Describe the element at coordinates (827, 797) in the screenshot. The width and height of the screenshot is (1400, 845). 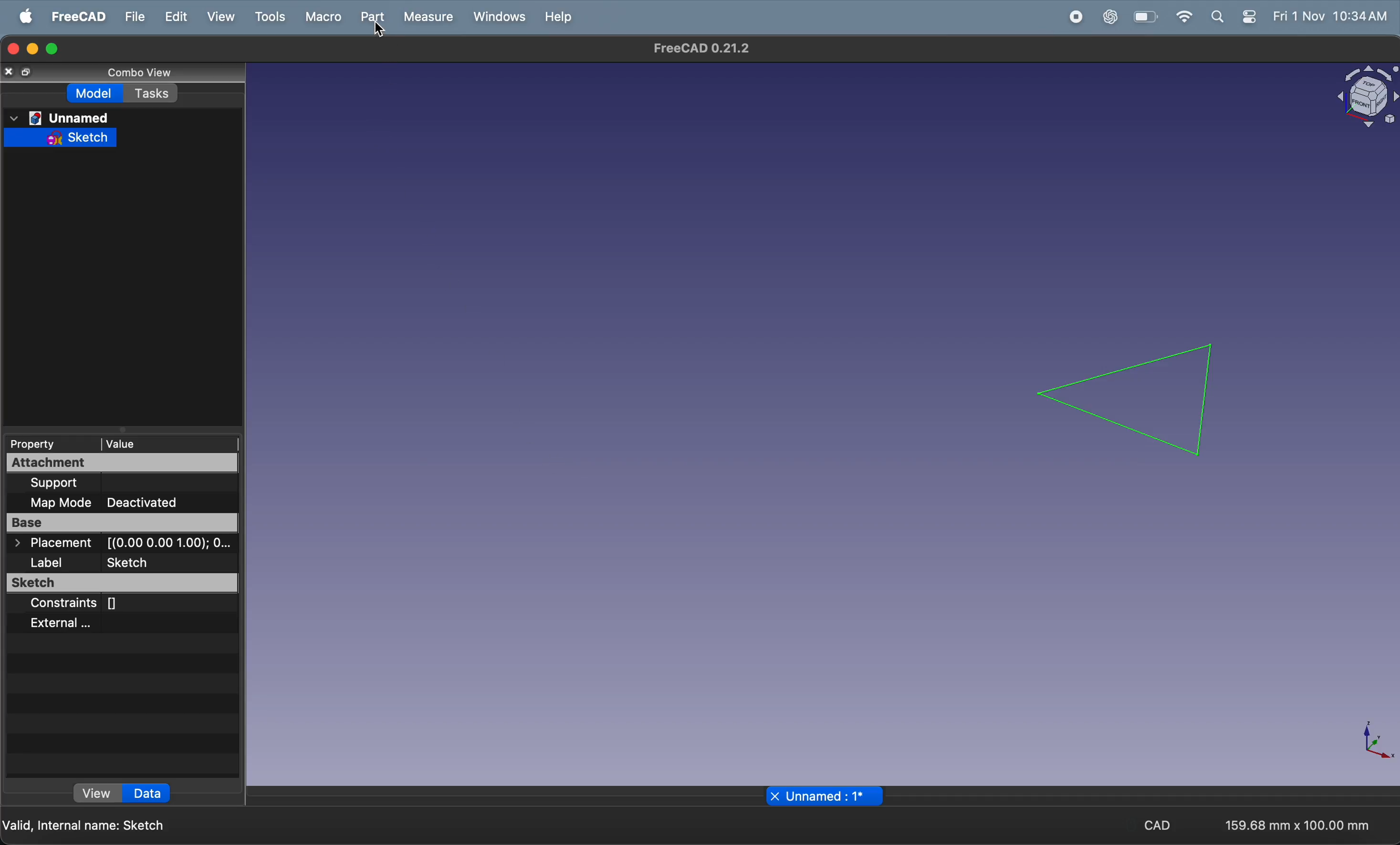
I see `Unnamed: 1*` at that location.